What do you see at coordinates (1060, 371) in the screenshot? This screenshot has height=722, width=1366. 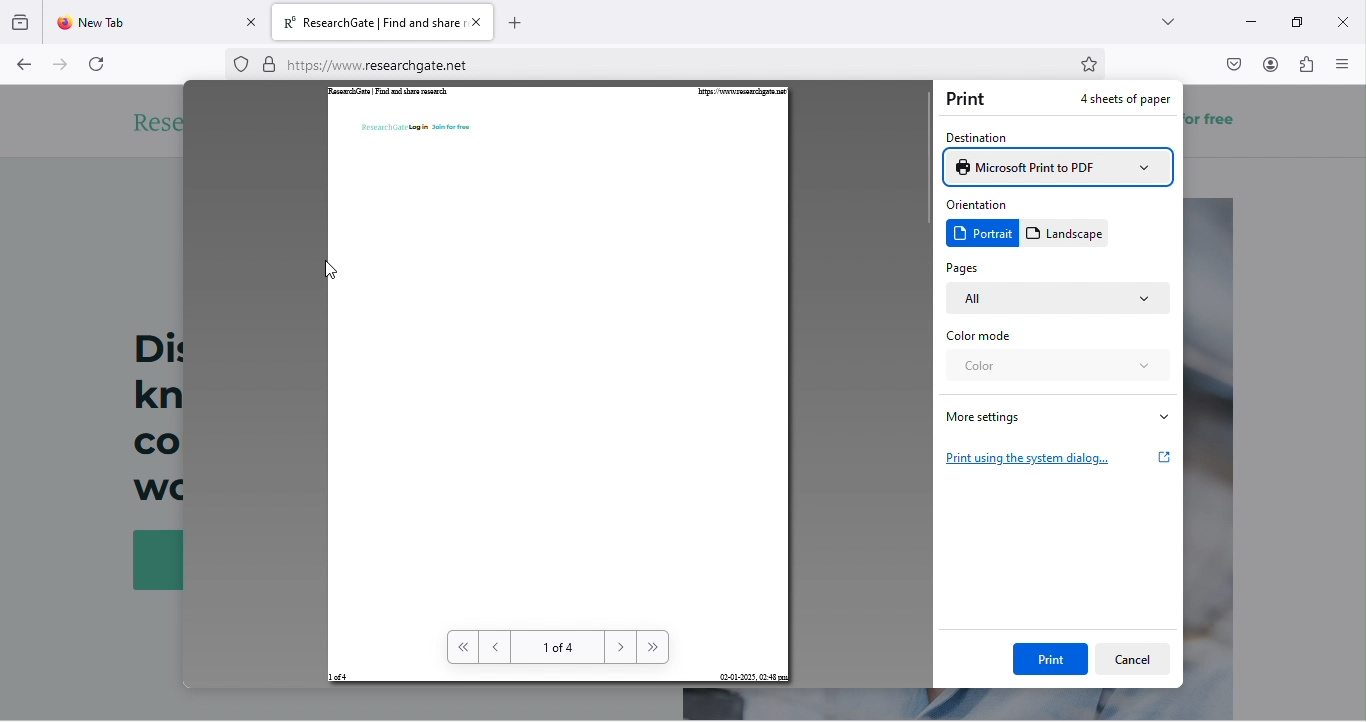 I see `color` at bounding box center [1060, 371].